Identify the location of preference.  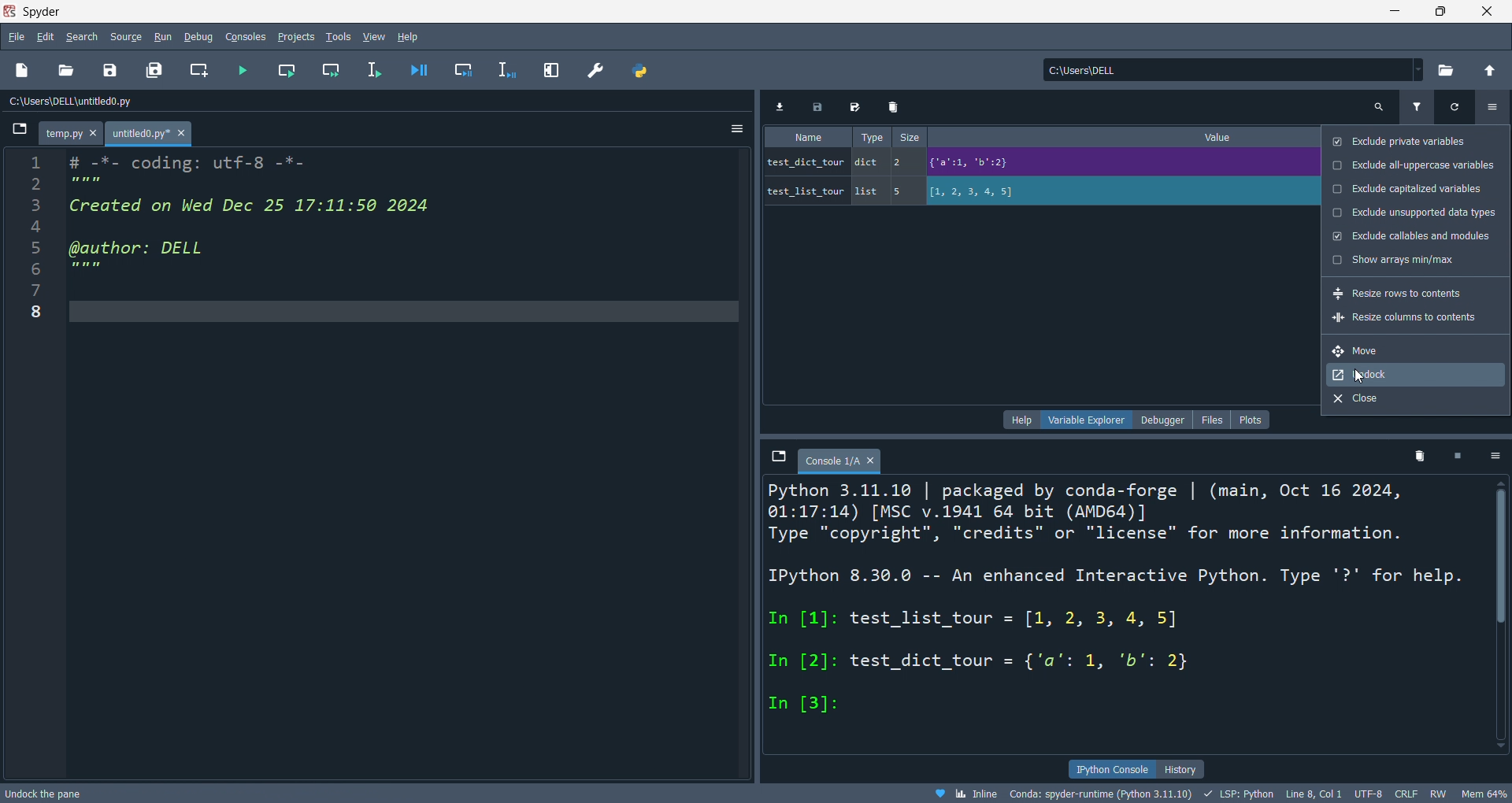
(595, 69).